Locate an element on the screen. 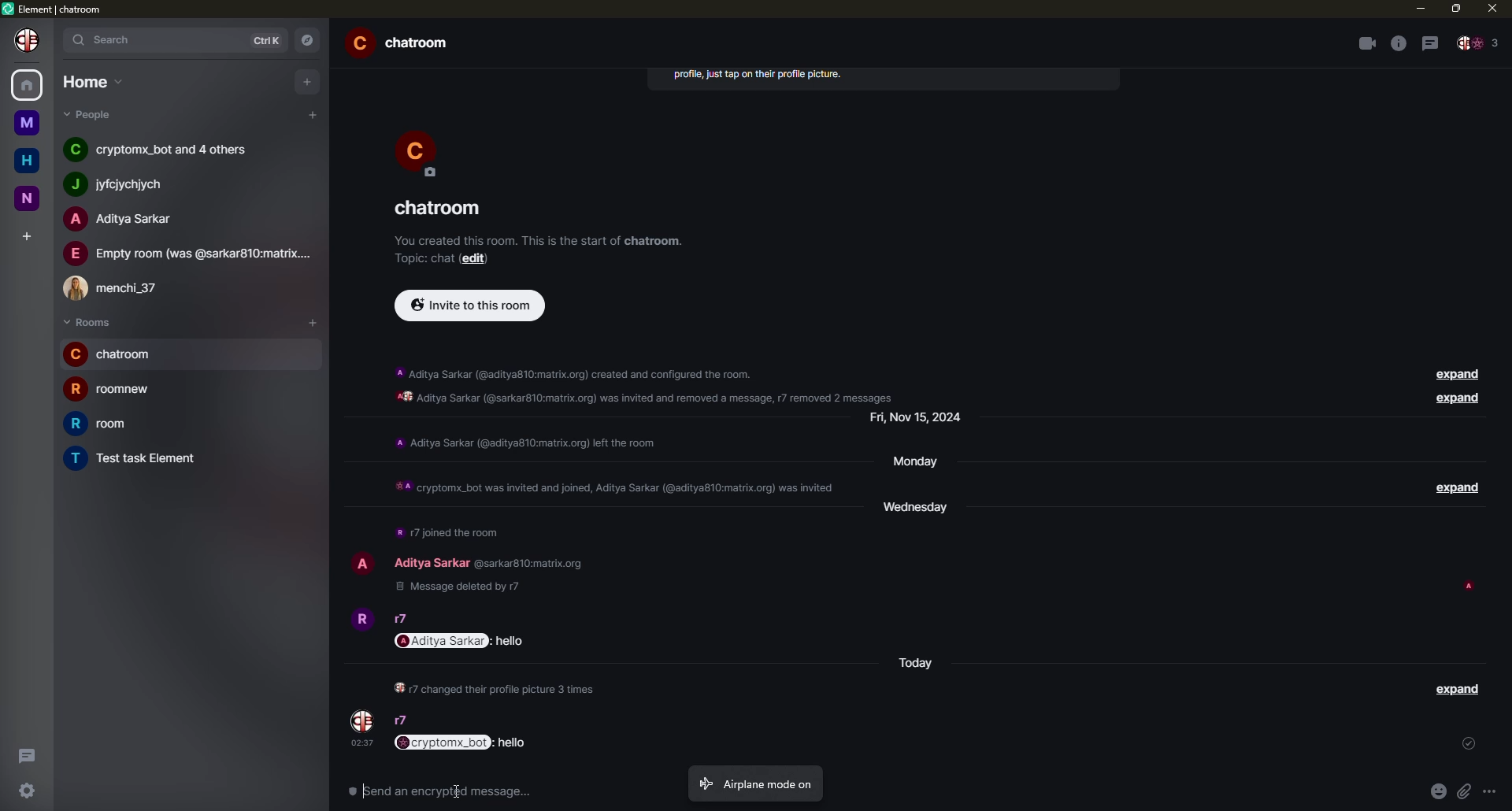 The width and height of the screenshot is (1512, 811). room is located at coordinates (114, 390).